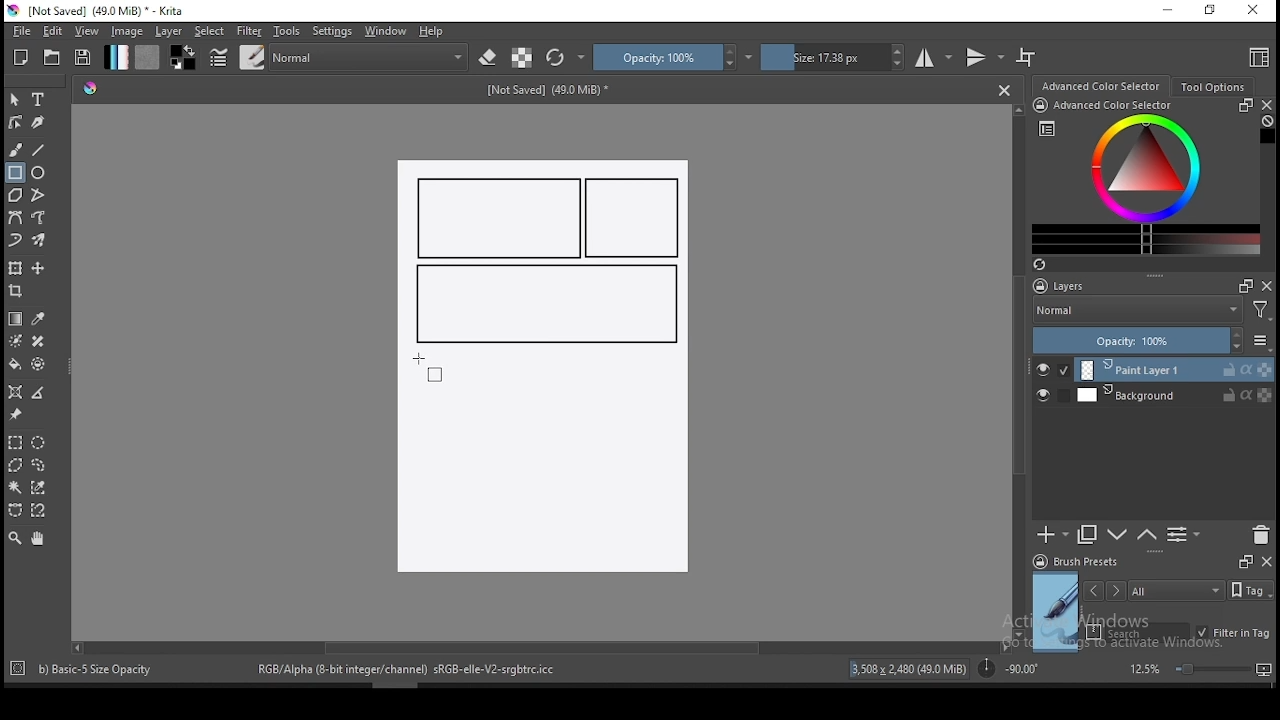 This screenshot has width=1280, height=720. What do you see at coordinates (1261, 313) in the screenshot?
I see `Filter` at bounding box center [1261, 313].